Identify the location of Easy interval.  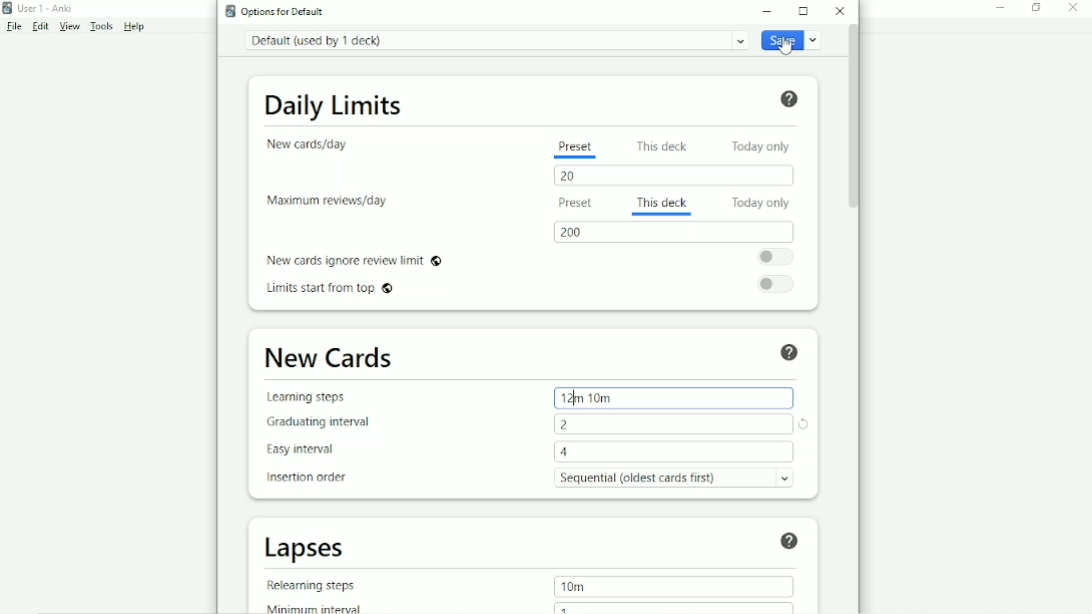
(307, 449).